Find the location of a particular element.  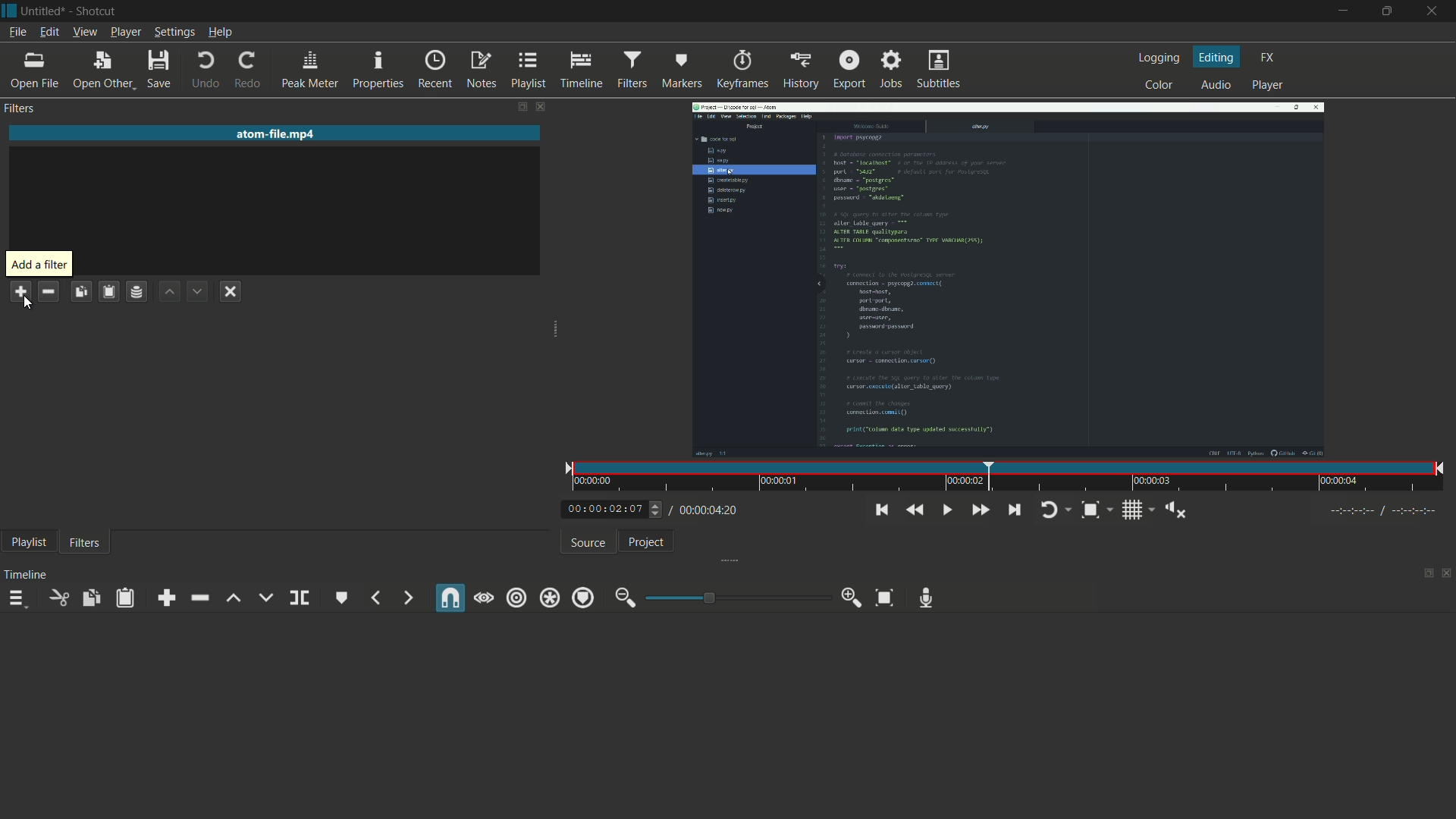

change layout is located at coordinates (521, 108).